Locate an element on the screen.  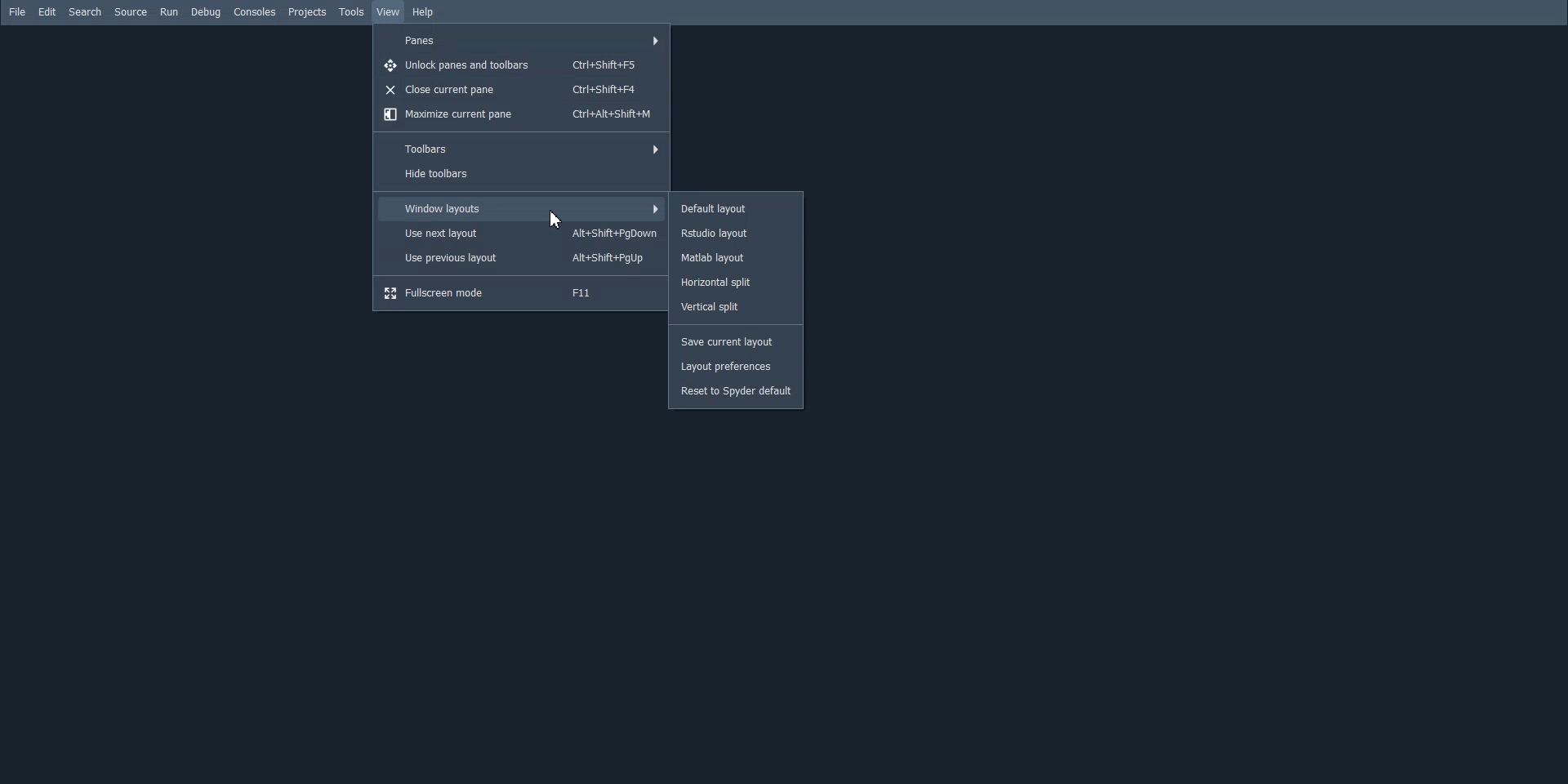
Source is located at coordinates (131, 11).